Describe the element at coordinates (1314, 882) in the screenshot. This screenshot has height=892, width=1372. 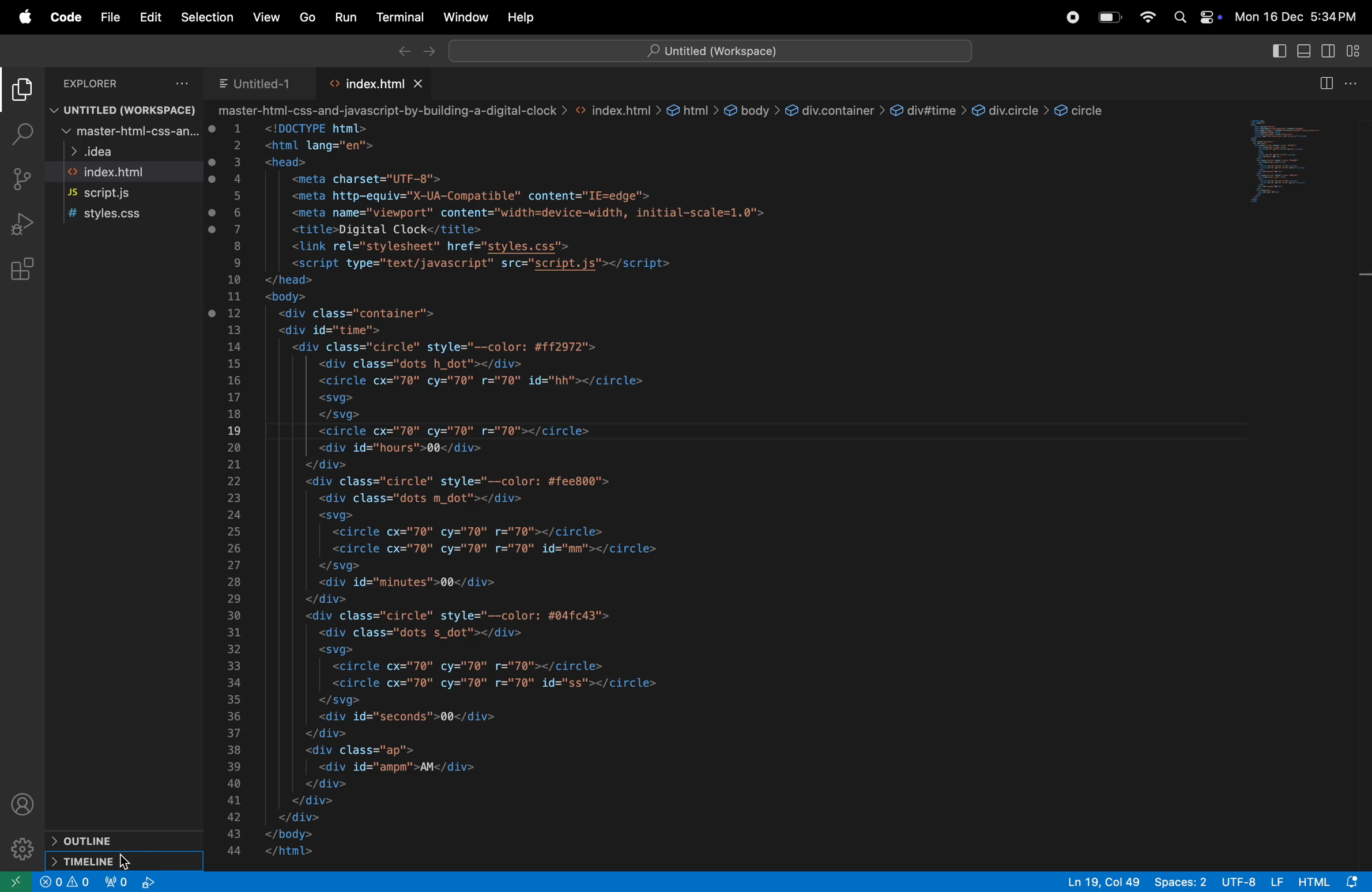
I see `html` at that location.